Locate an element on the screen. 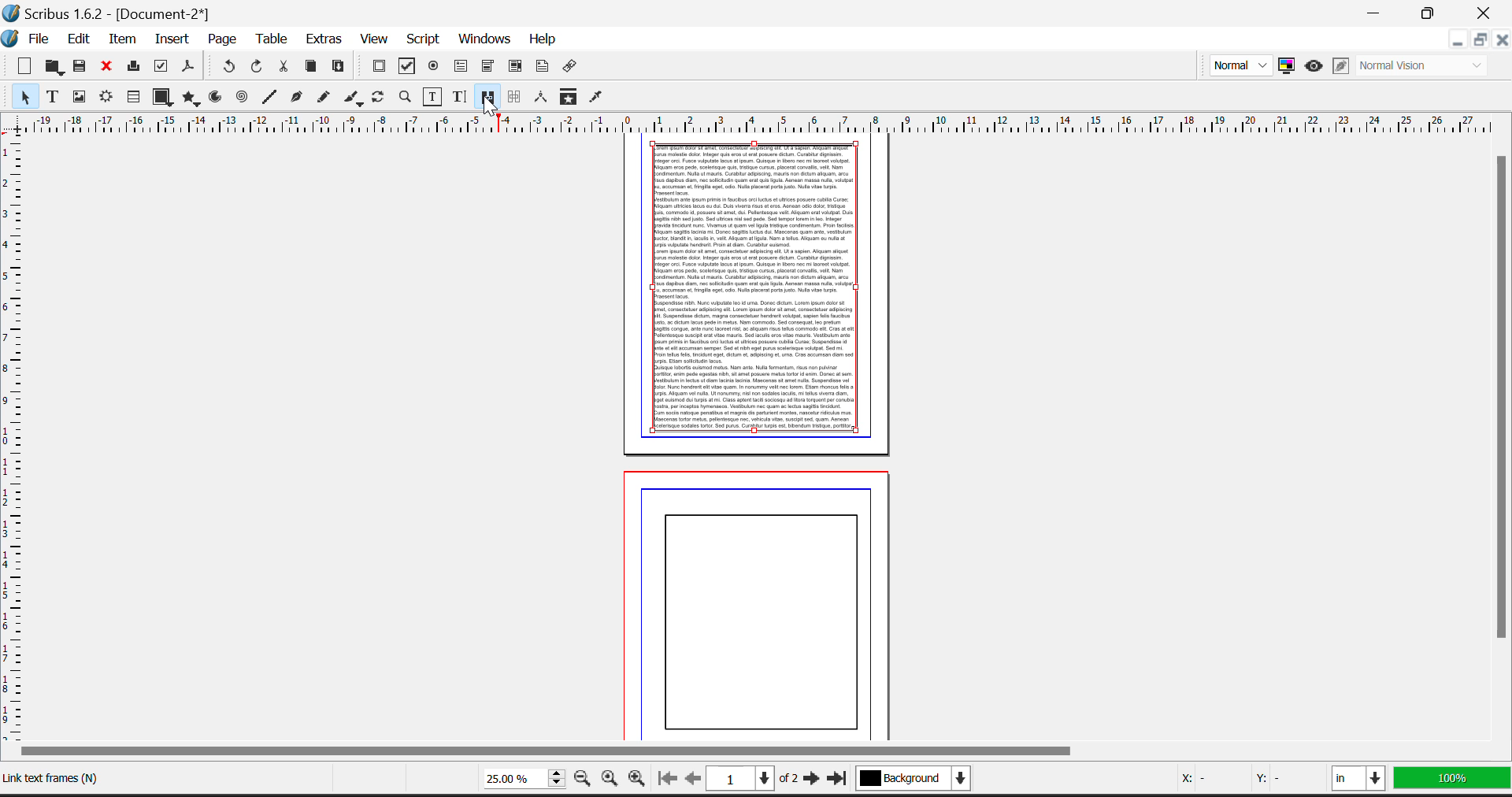 This screenshot has width=1512, height=797. Close is located at coordinates (1487, 11).